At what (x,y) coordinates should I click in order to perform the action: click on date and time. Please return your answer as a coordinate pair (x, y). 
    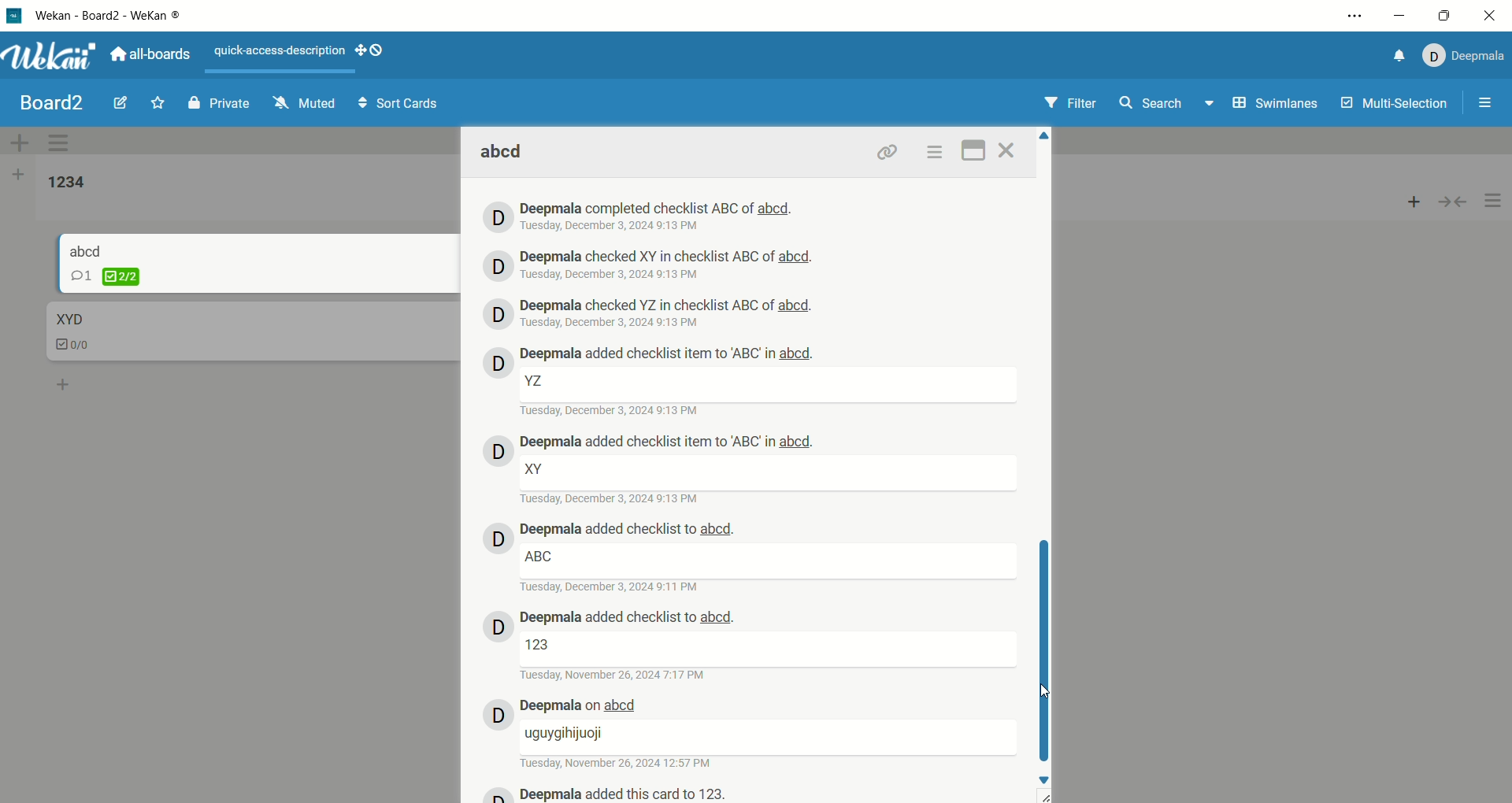
    Looking at the image, I should click on (613, 276).